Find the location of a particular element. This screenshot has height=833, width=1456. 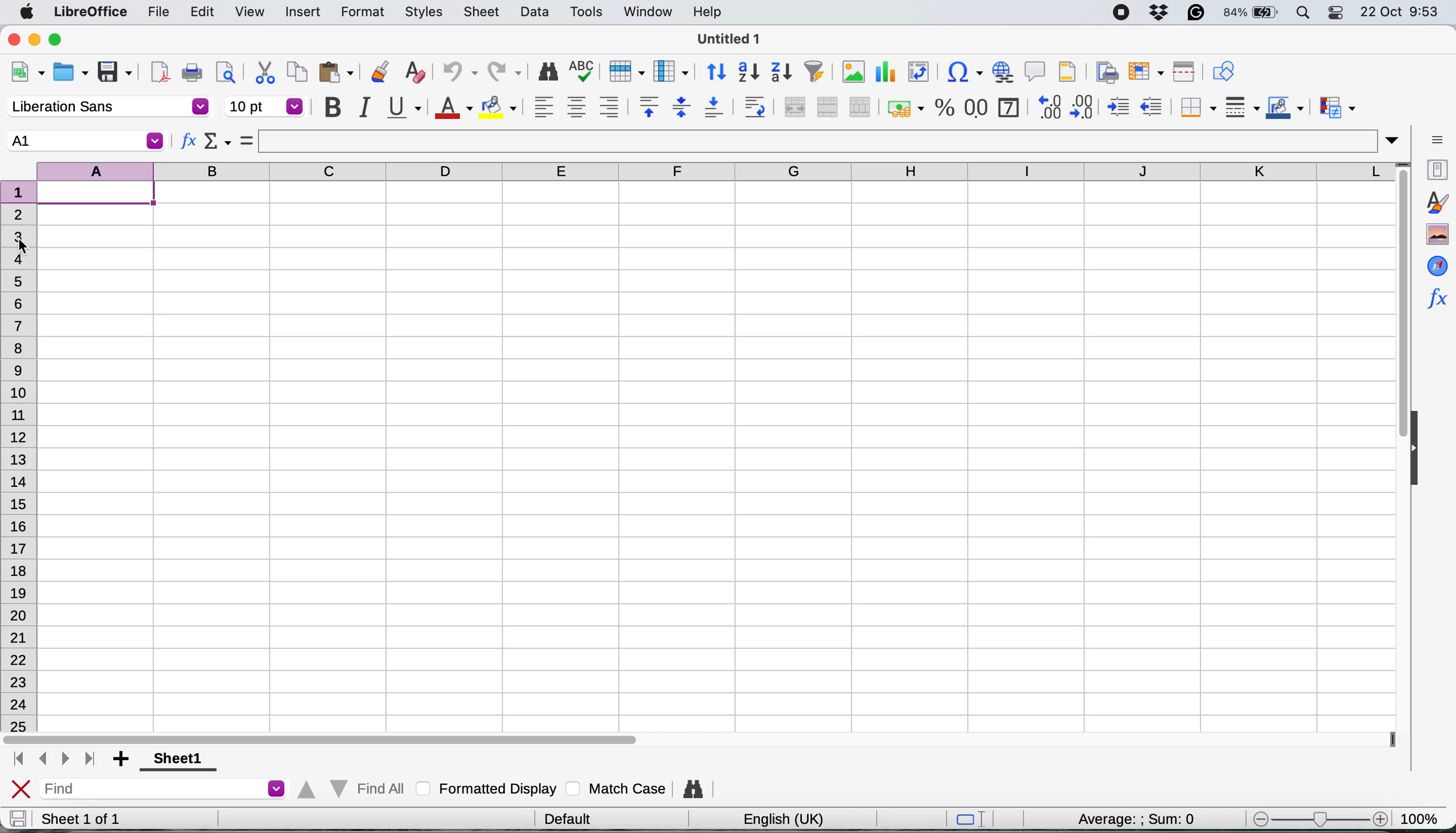

sheet 1 is located at coordinates (174, 760).